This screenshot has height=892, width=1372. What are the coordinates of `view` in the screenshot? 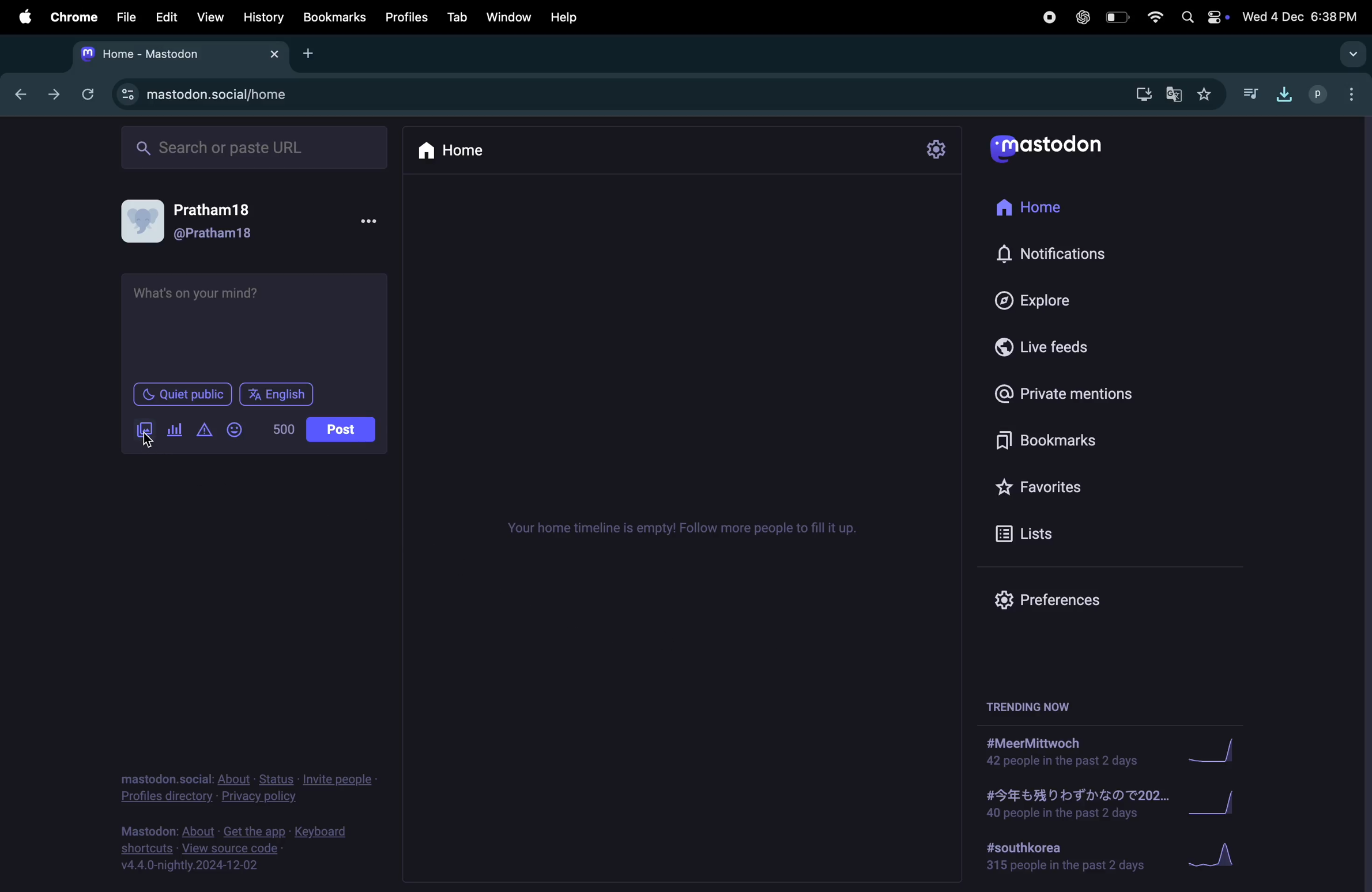 It's located at (210, 17).